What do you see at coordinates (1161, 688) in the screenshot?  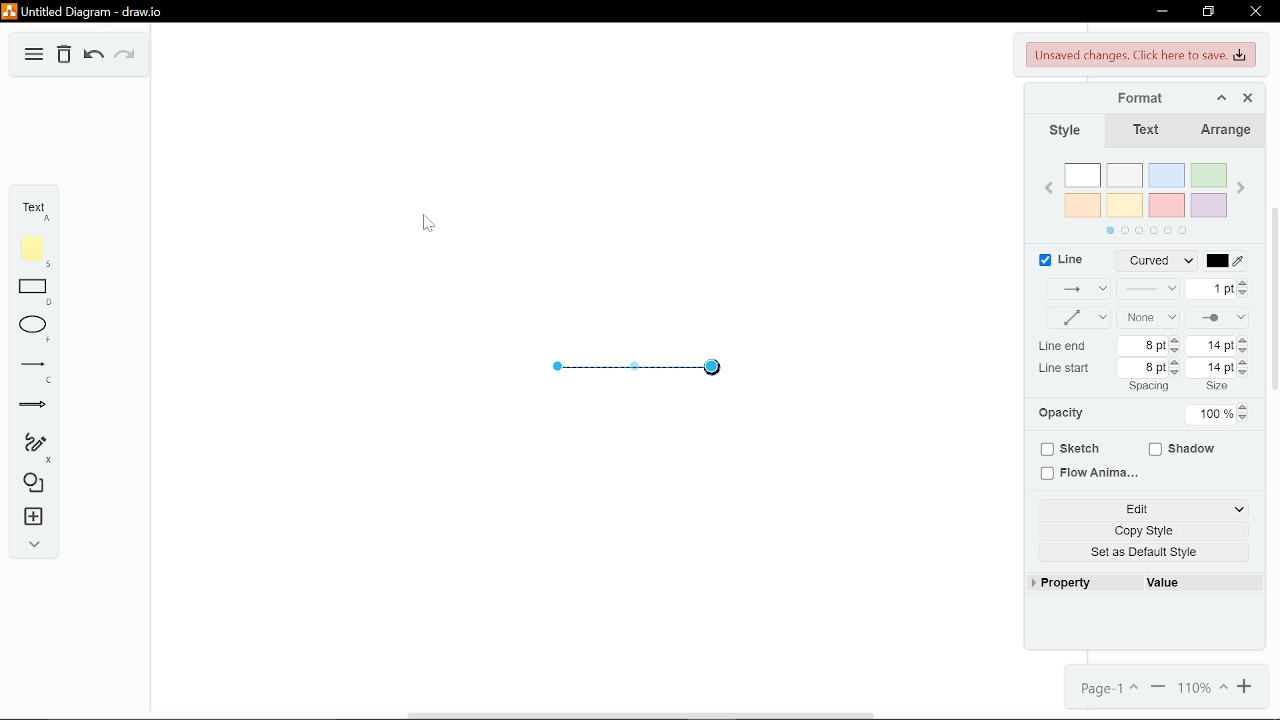 I see `Zoom out` at bounding box center [1161, 688].